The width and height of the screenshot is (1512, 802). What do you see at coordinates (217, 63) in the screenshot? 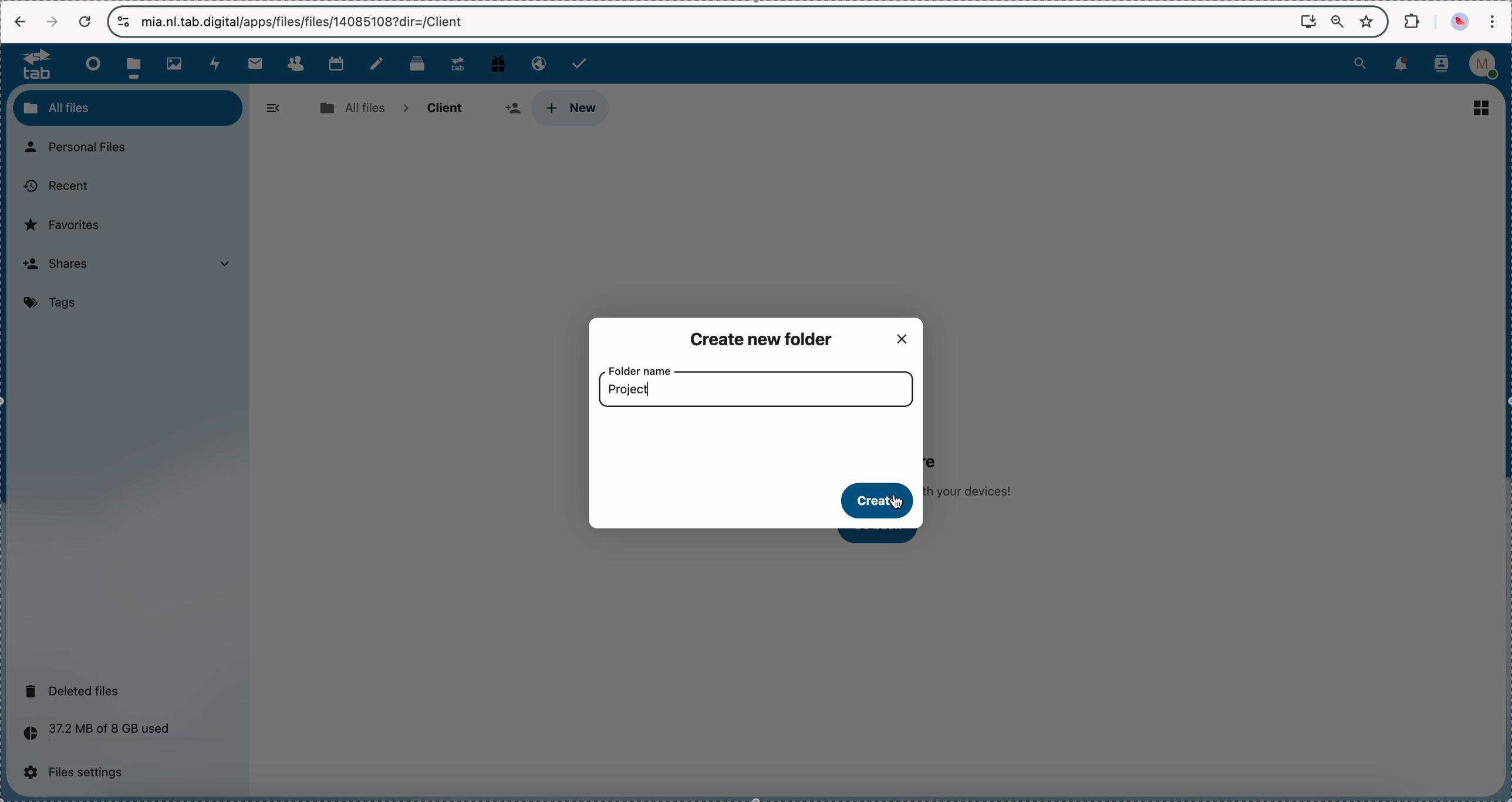
I see `activity` at bounding box center [217, 63].